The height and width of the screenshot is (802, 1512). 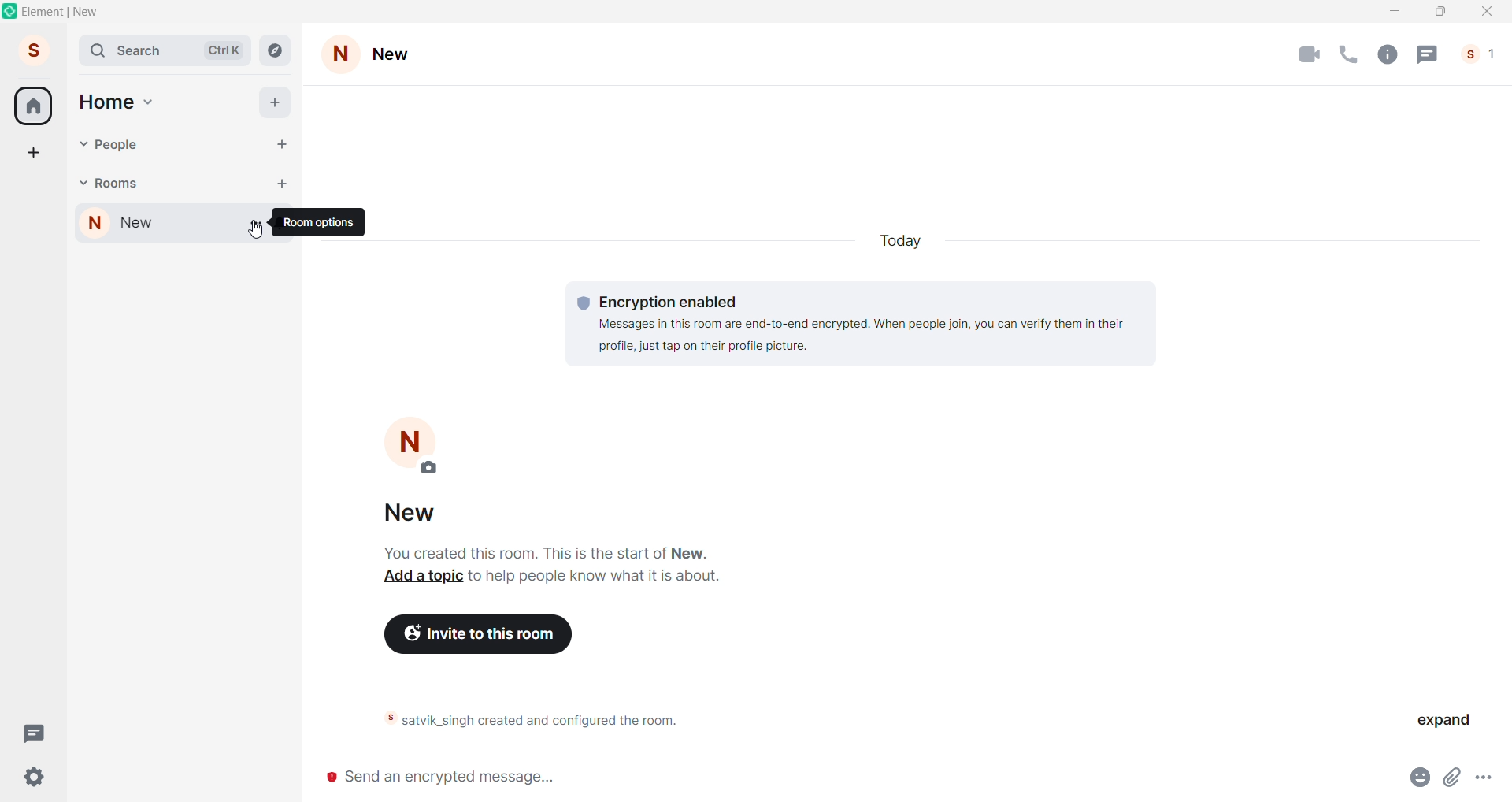 What do you see at coordinates (341, 52) in the screenshot?
I see `Room Setting` at bounding box center [341, 52].